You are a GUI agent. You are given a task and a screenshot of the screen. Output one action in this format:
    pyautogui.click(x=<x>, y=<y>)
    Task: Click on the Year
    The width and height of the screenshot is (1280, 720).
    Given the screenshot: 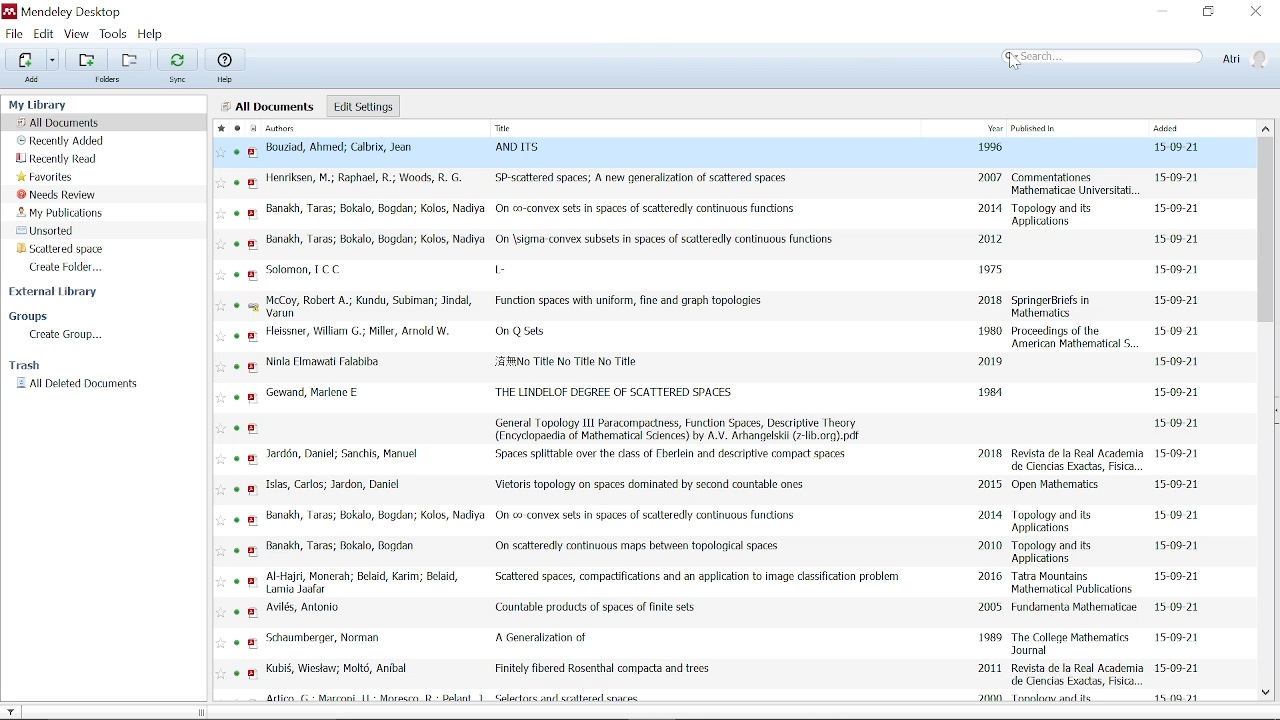 What is the action you would take?
    pyautogui.click(x=995, y=127)
    